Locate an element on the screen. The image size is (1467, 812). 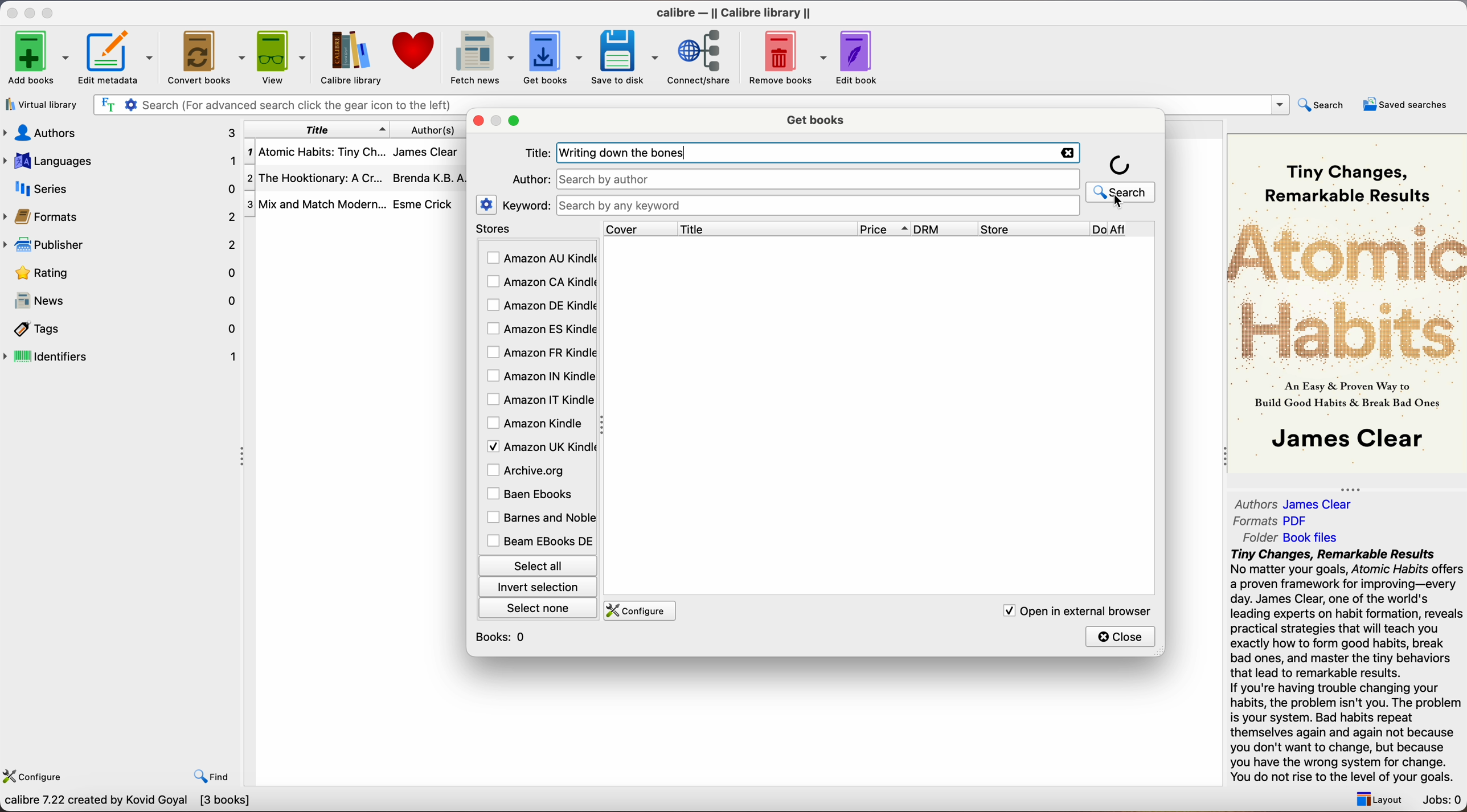
authors is located at coordinates (118, 132).